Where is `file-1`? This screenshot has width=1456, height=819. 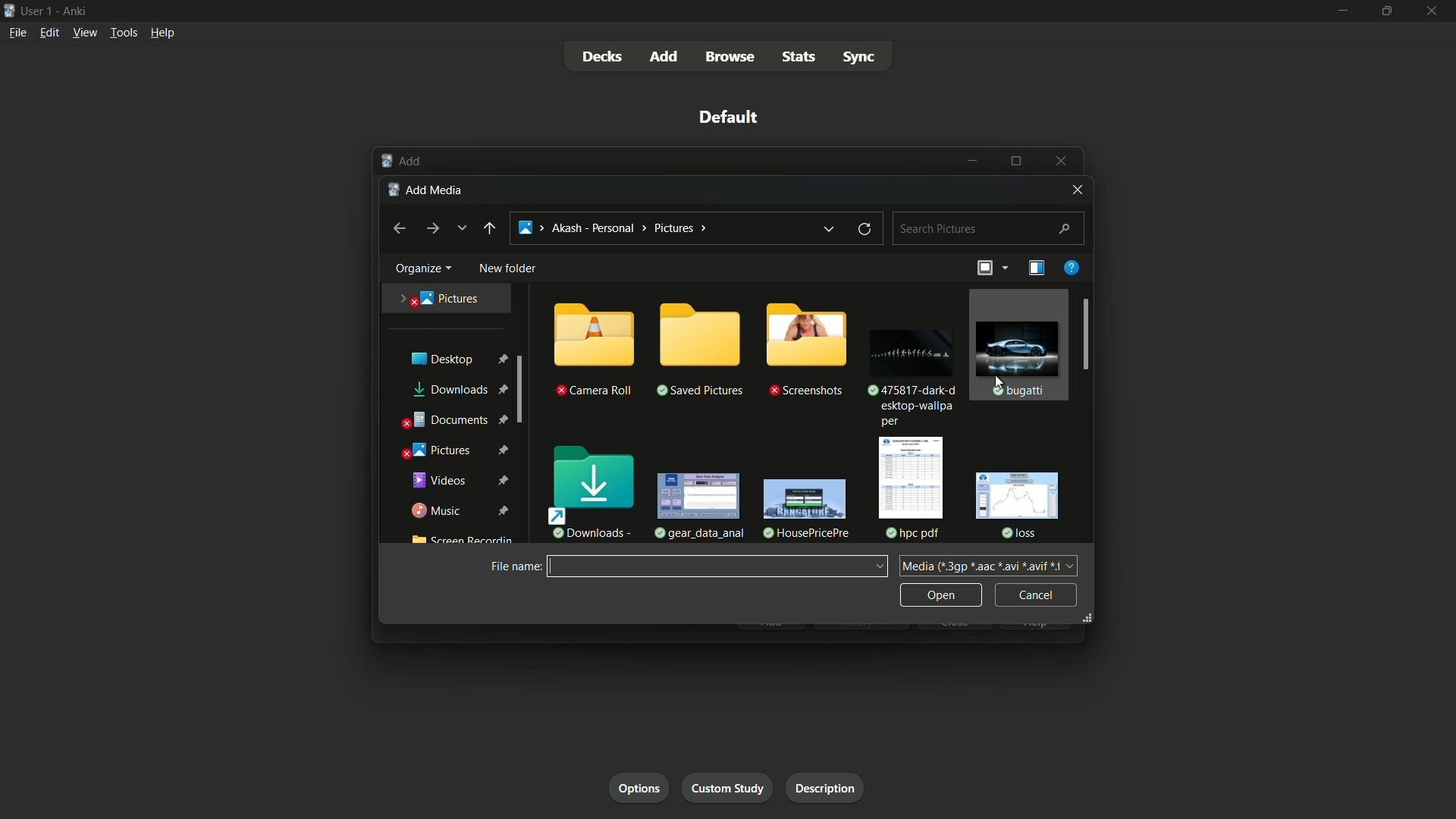 file-1 is located at coordinates (908, 361).